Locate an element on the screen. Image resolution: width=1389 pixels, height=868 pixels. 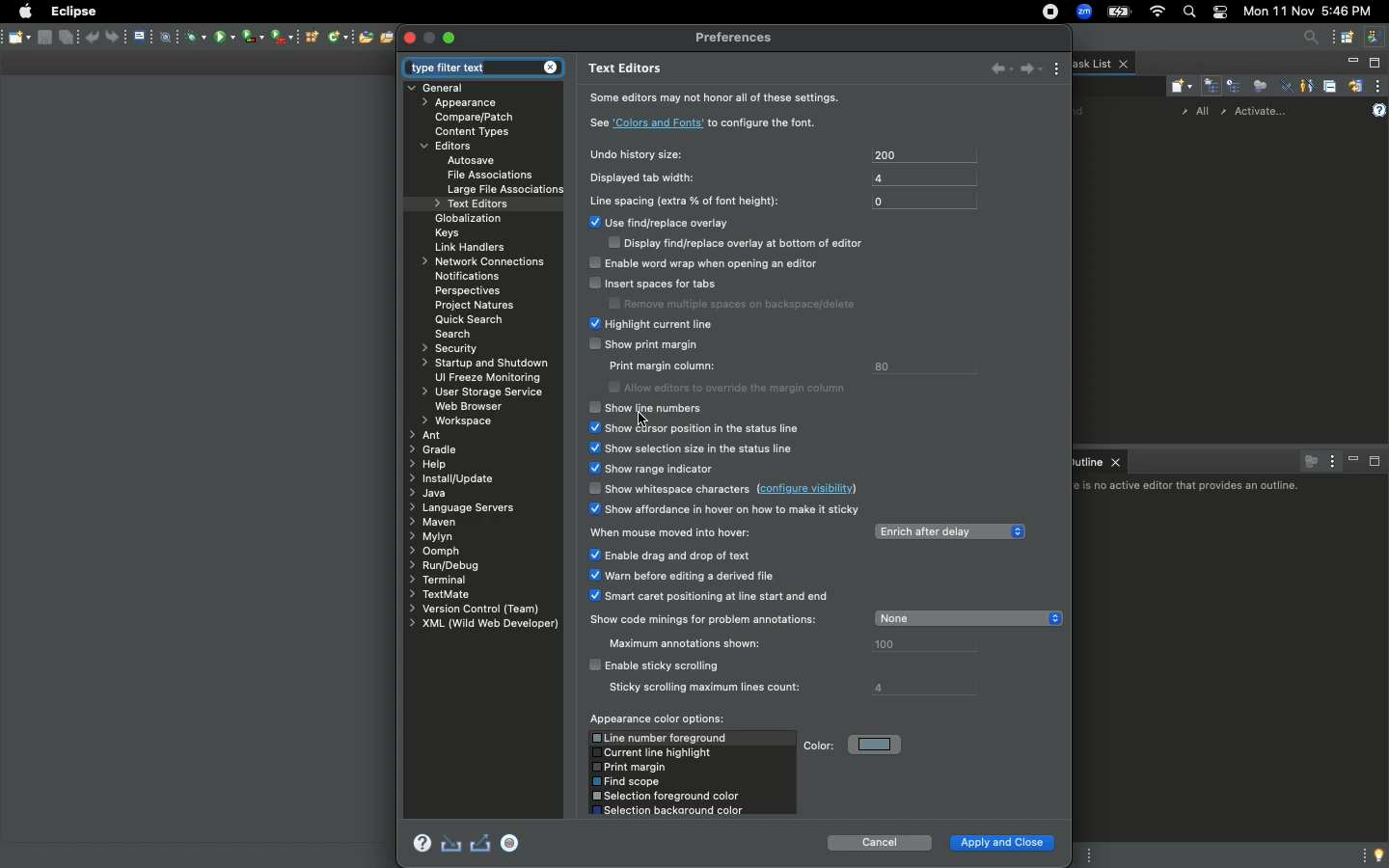
Apple logo is located at coordinates (26, 12).